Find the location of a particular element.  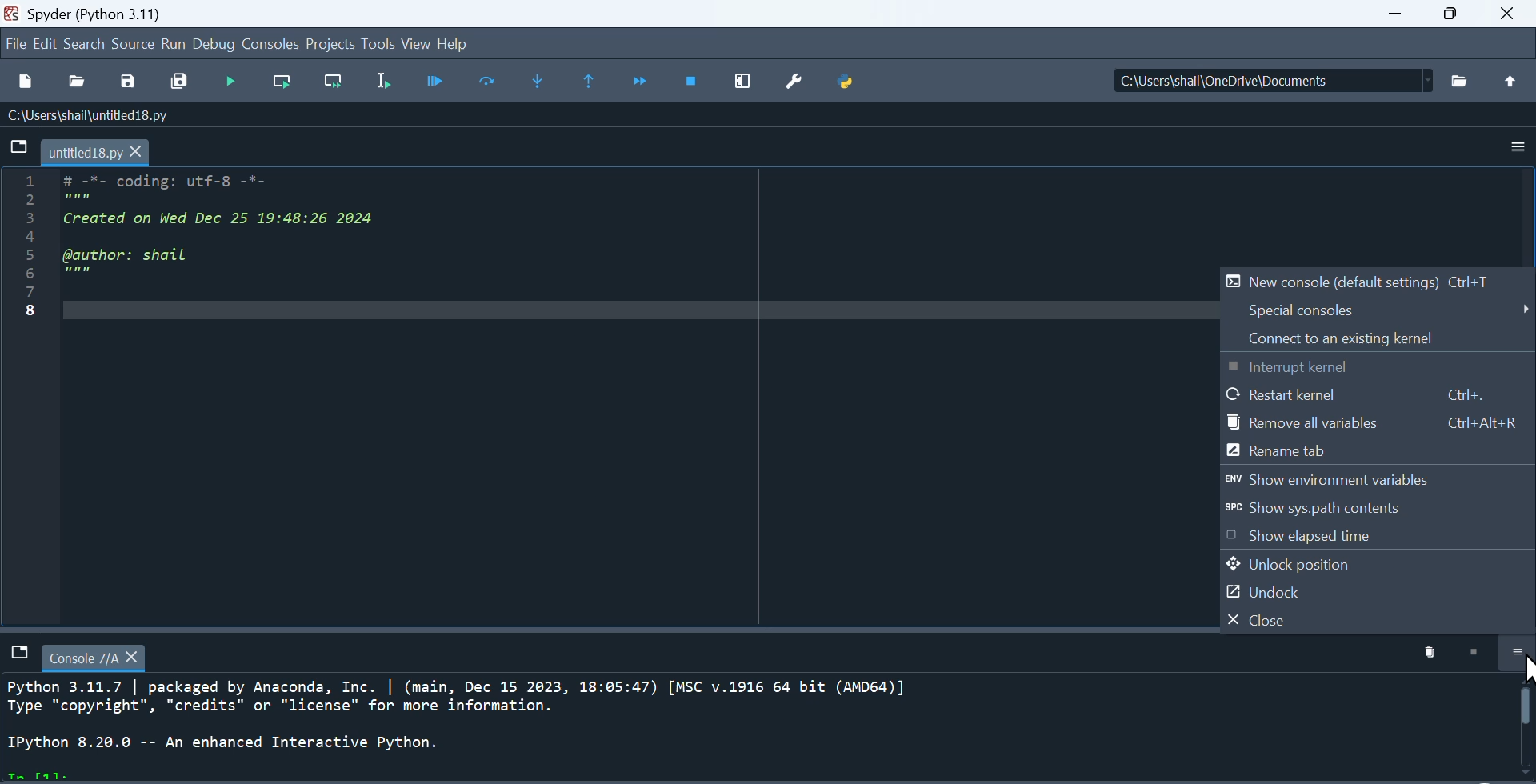

show sys.path contents is located at coordinates (1378, 510).